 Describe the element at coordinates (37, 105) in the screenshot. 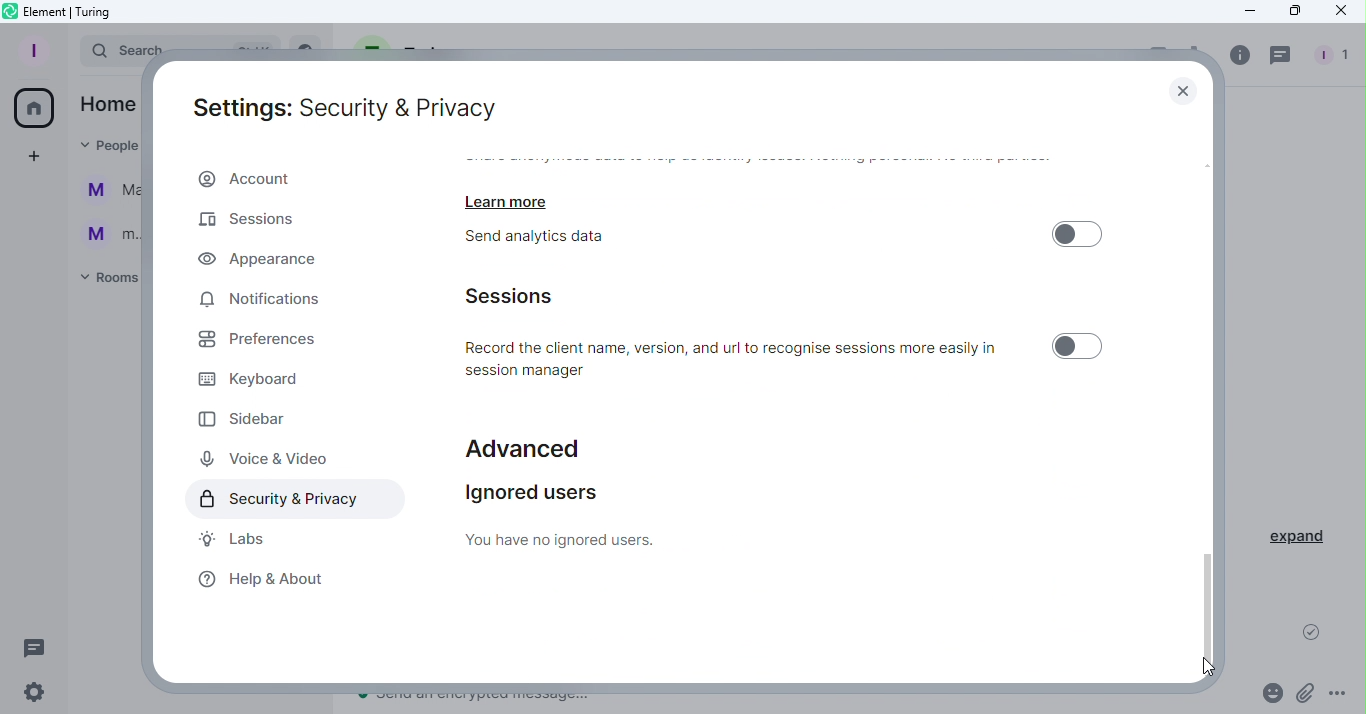

I see `Home` at that location.